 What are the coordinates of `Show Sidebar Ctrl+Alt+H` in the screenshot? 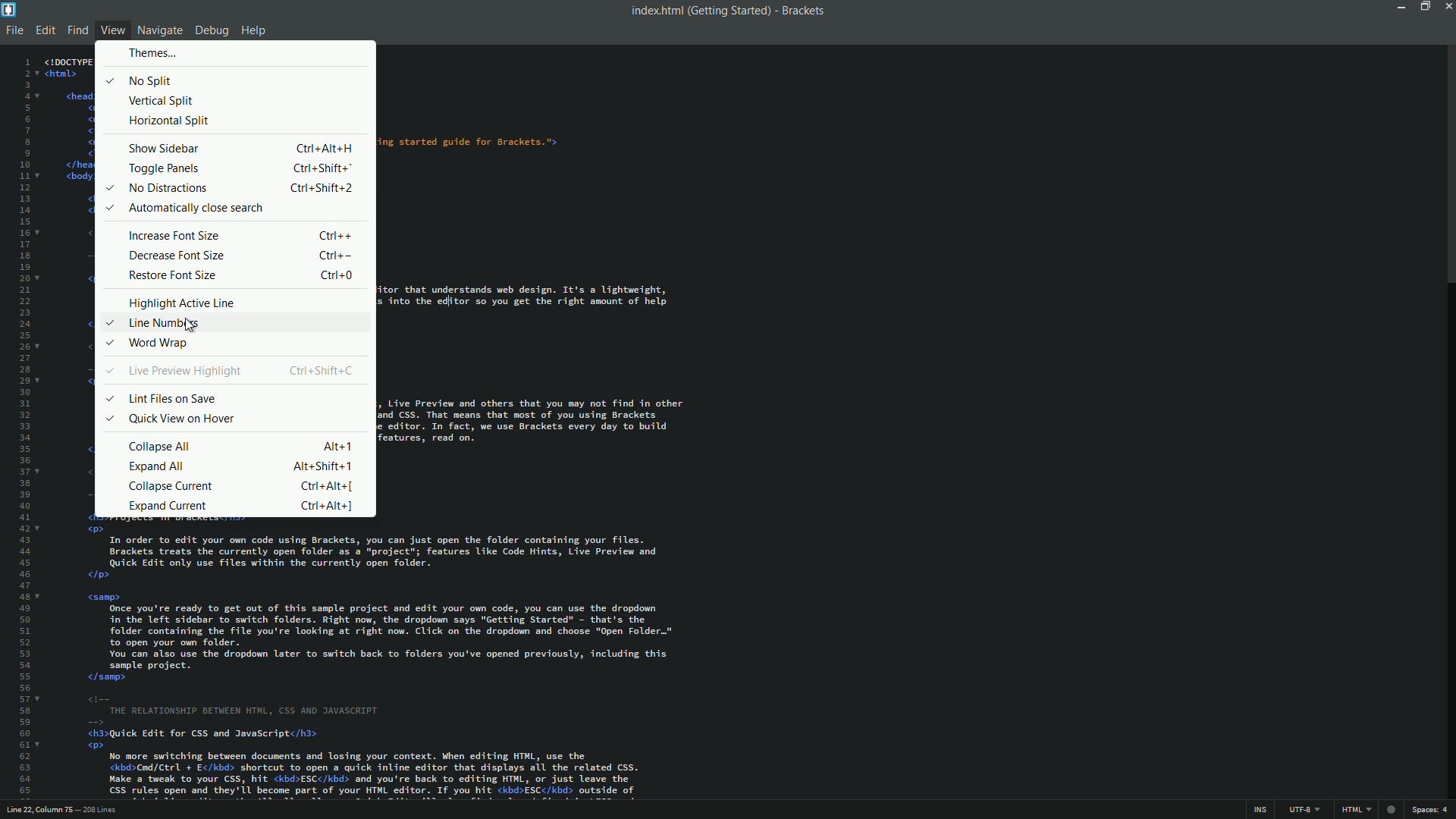 It's located at (240, 148).